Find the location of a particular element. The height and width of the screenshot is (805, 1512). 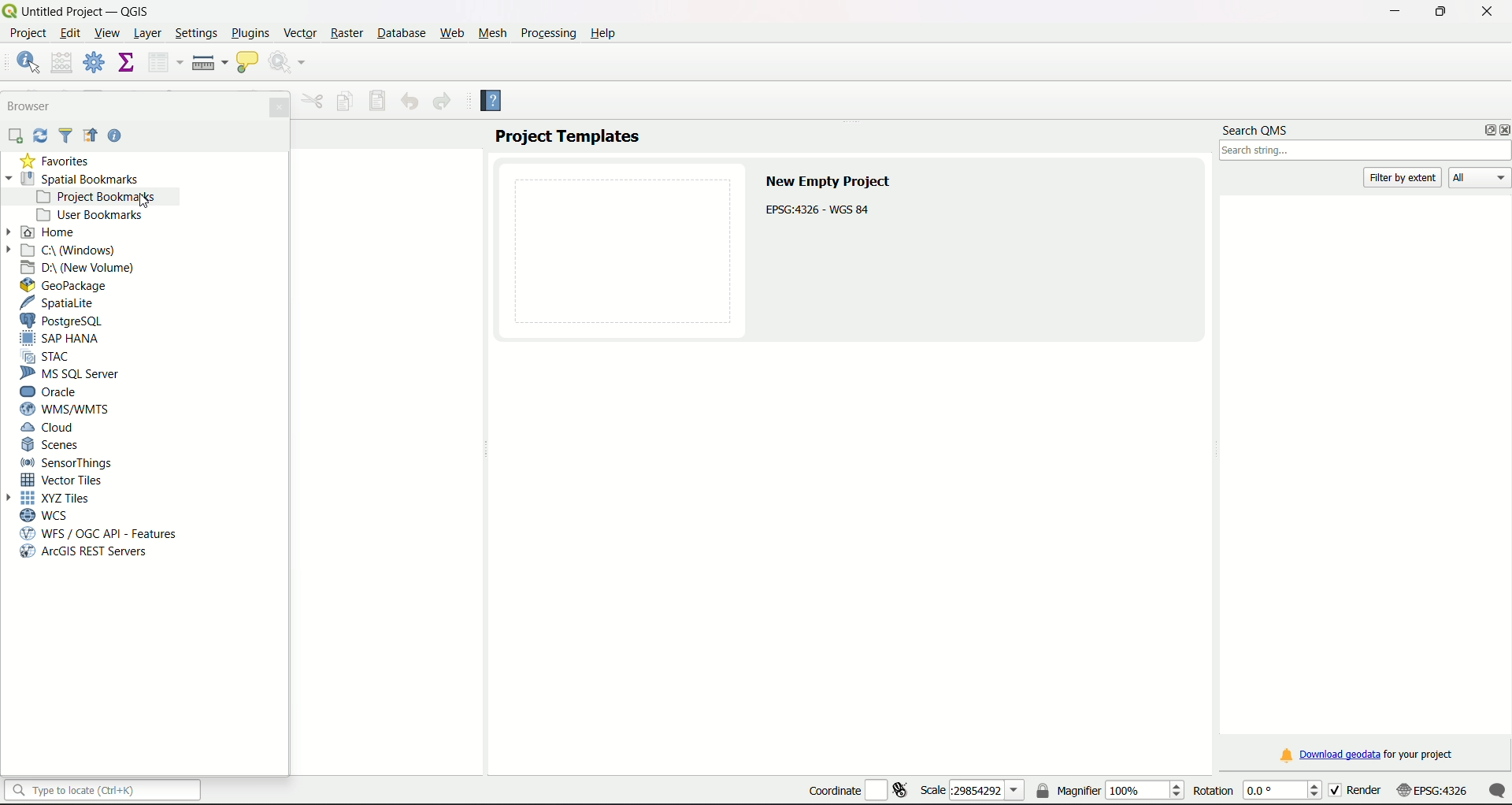

project is located at coordinates (29, 35).